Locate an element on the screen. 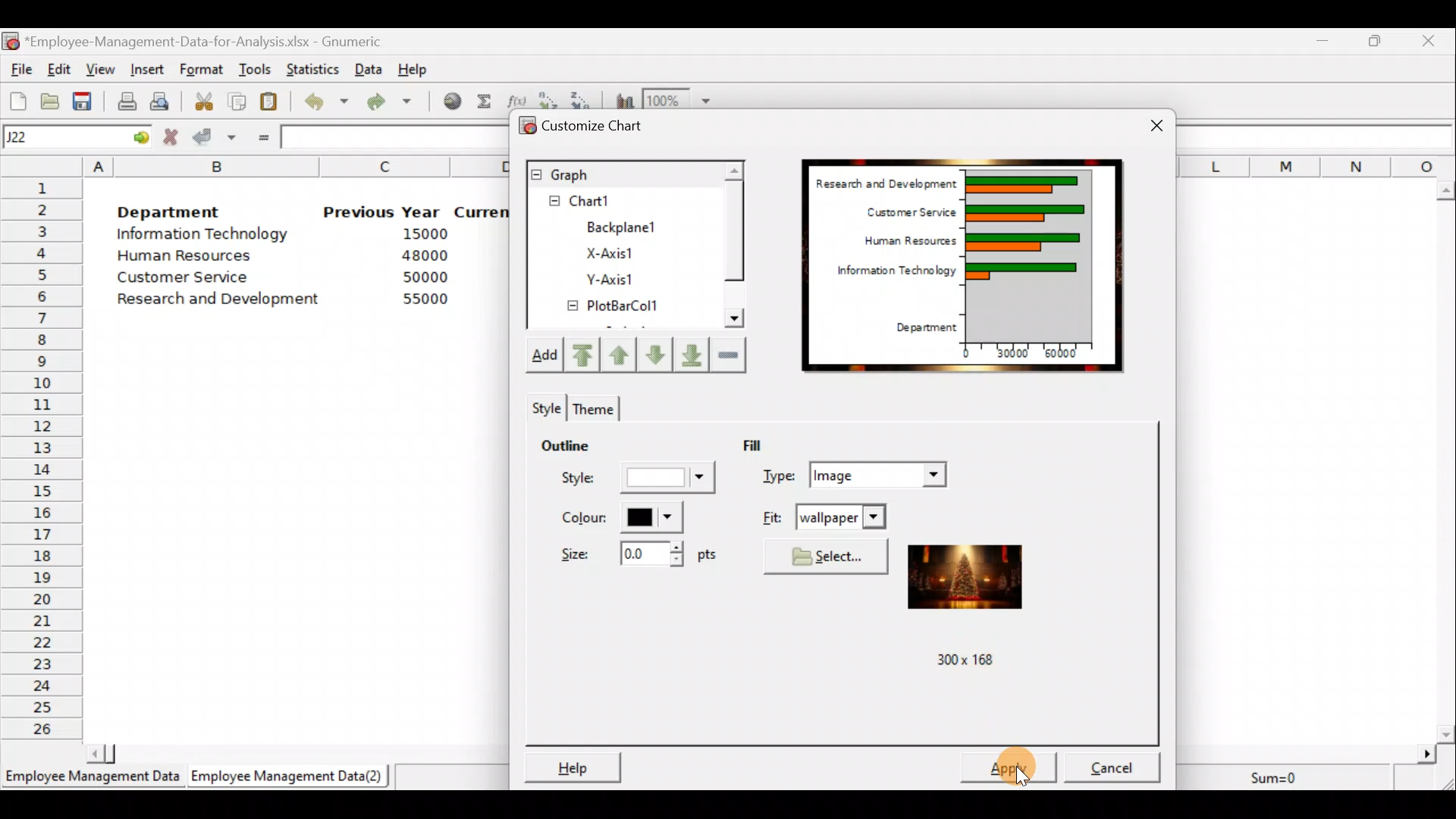 Image resolution: width=1456 pixels, height=819 pixels. Statistics is located at coordinates (314, 65).